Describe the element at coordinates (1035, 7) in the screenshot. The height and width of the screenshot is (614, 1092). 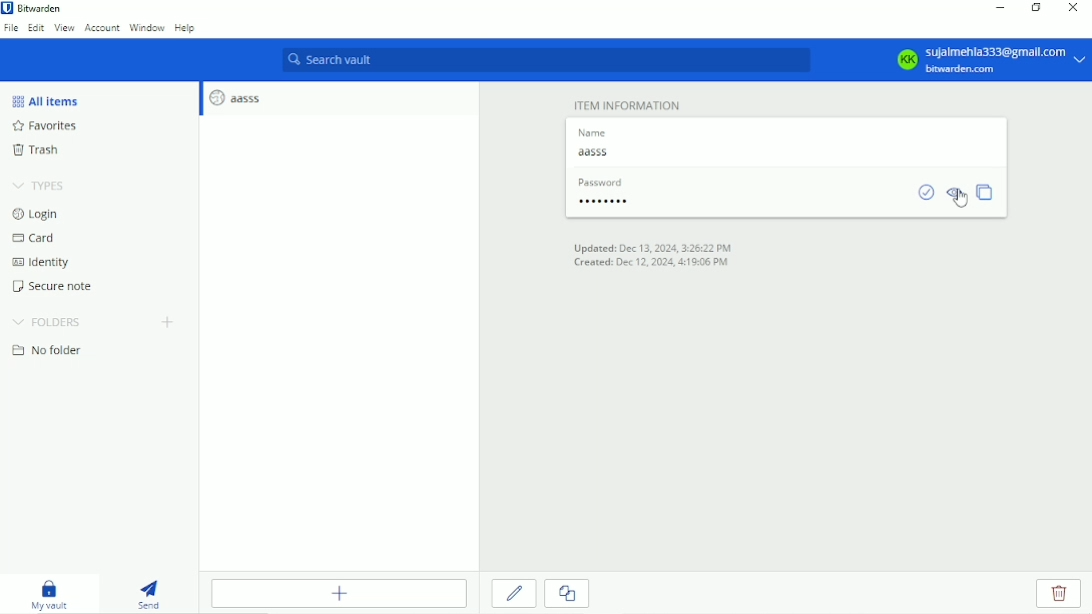
I see `Restore down` at that location.